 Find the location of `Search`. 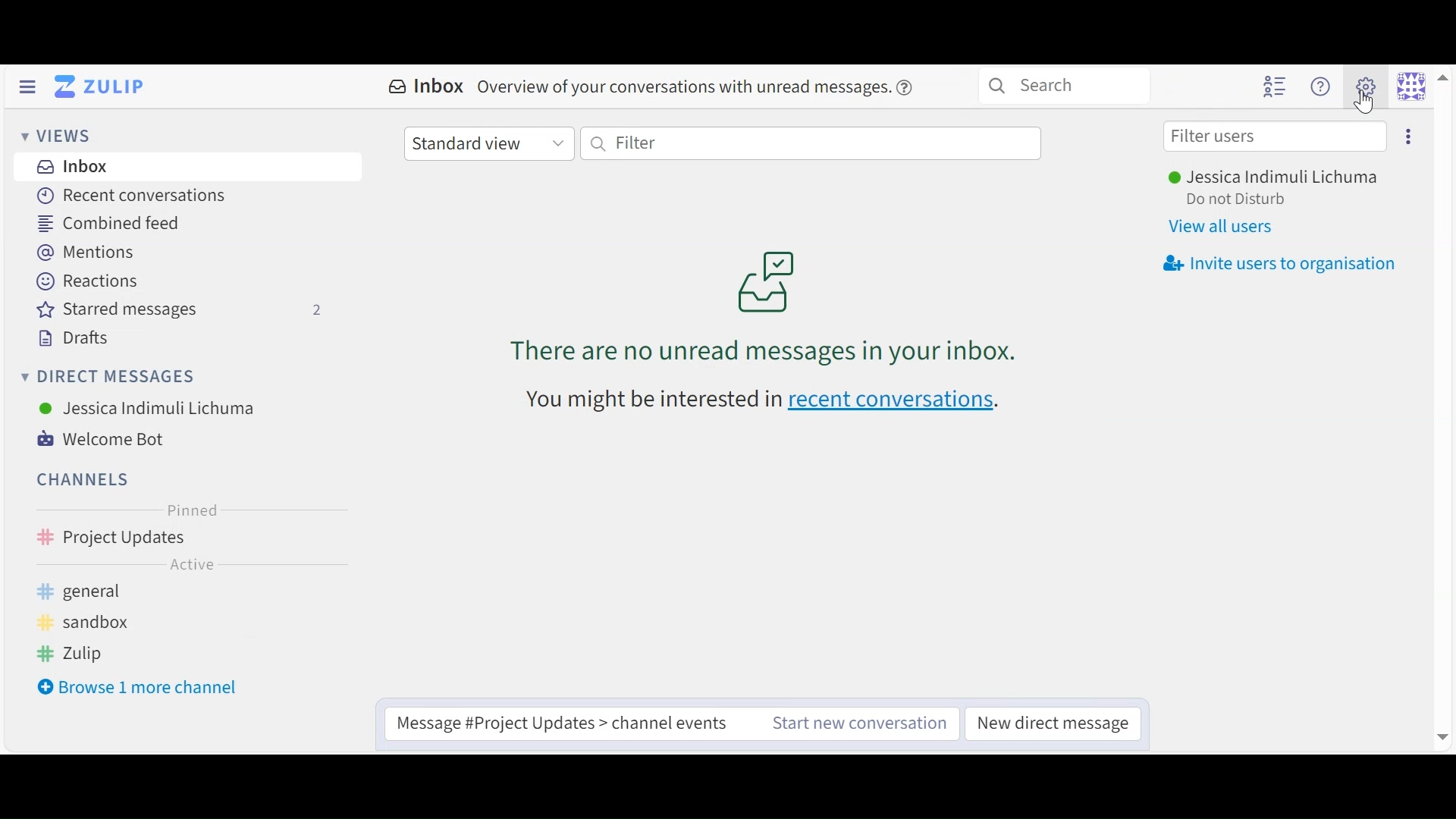

Search is located at coordinates (1067, 86).